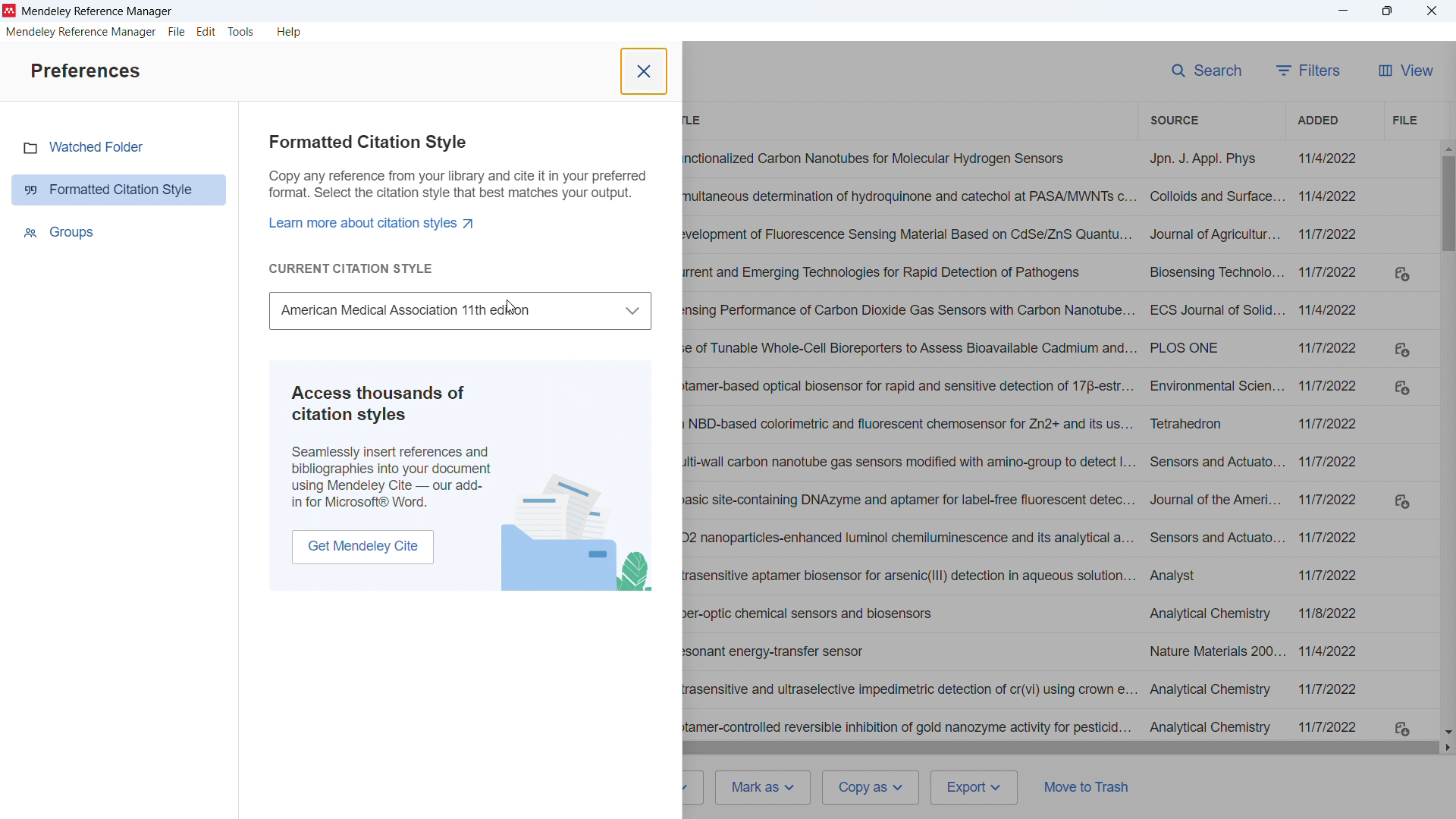 This screenshot has height=819, width=1456. I want to click on Download links where Pdfs available, so click(1403, 501).